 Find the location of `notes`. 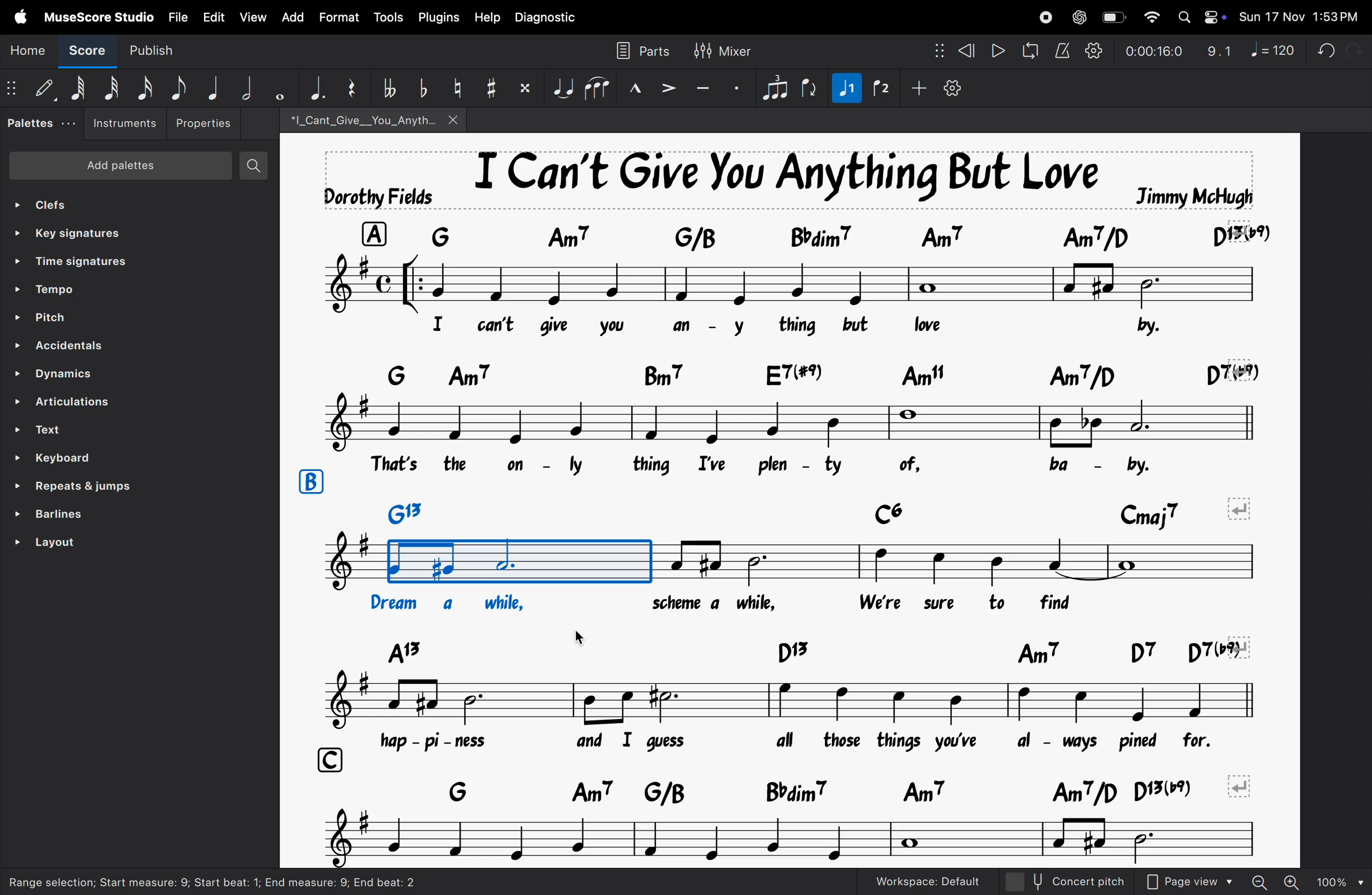

notes is located at coordinates (784, 420).